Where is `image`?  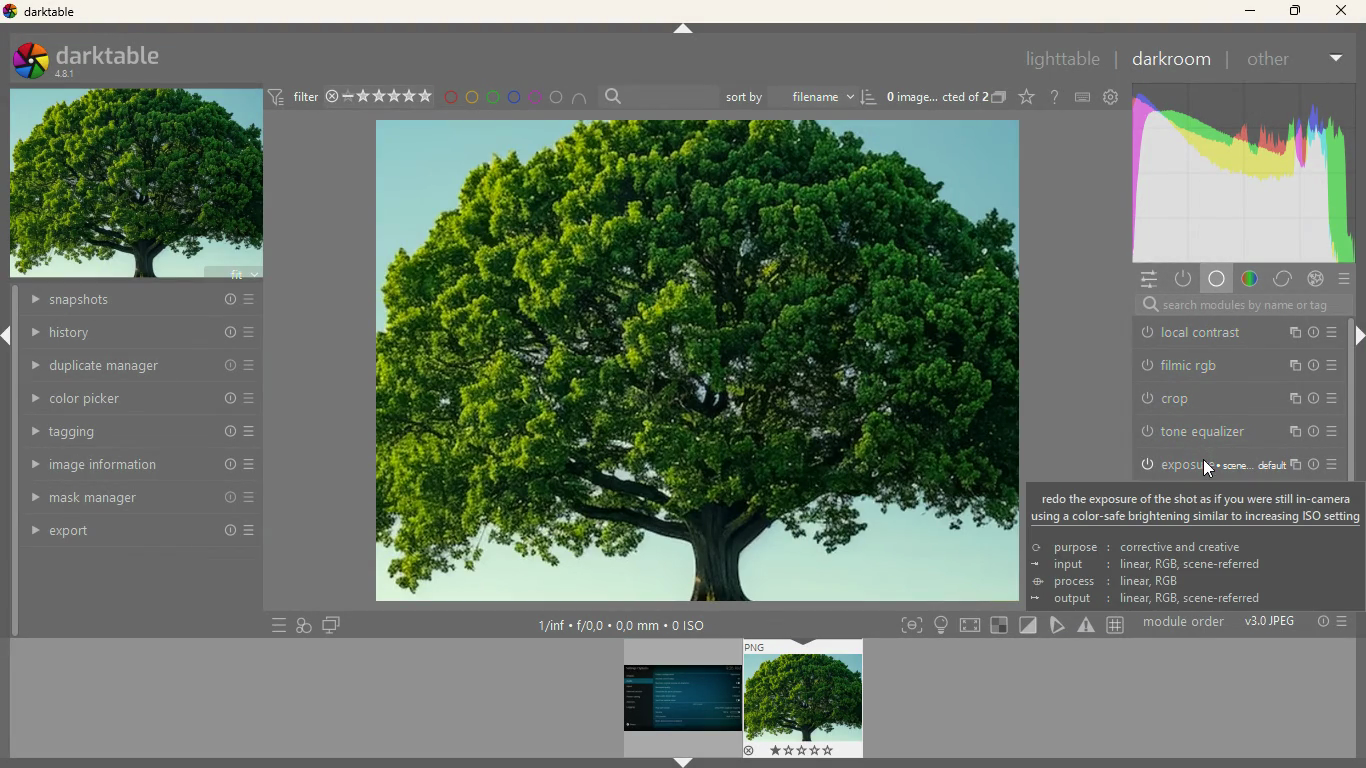
image is located at coordinates (682, 698).